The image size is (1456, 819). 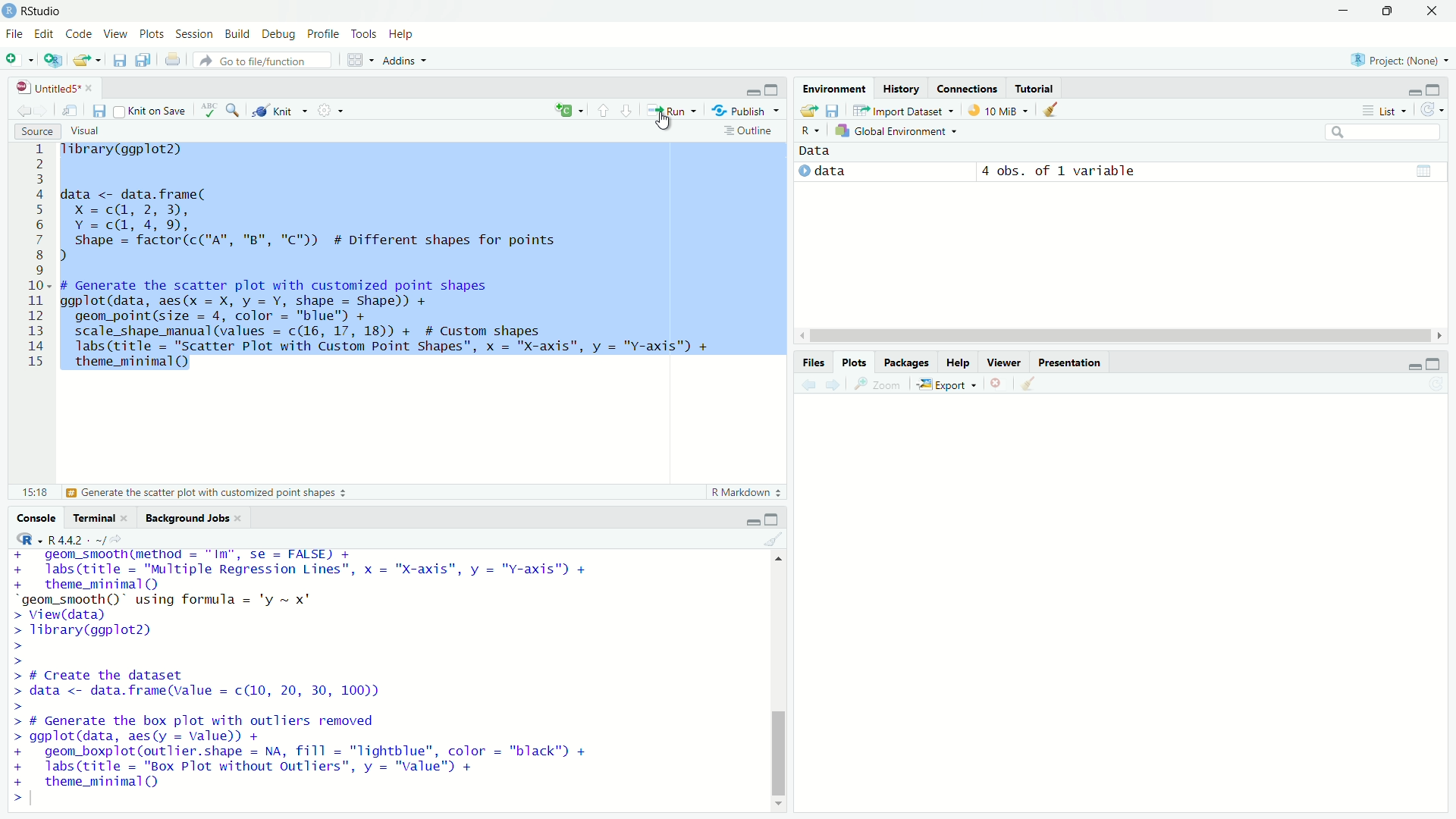 I want to click on close, so click(x=89, y=88).